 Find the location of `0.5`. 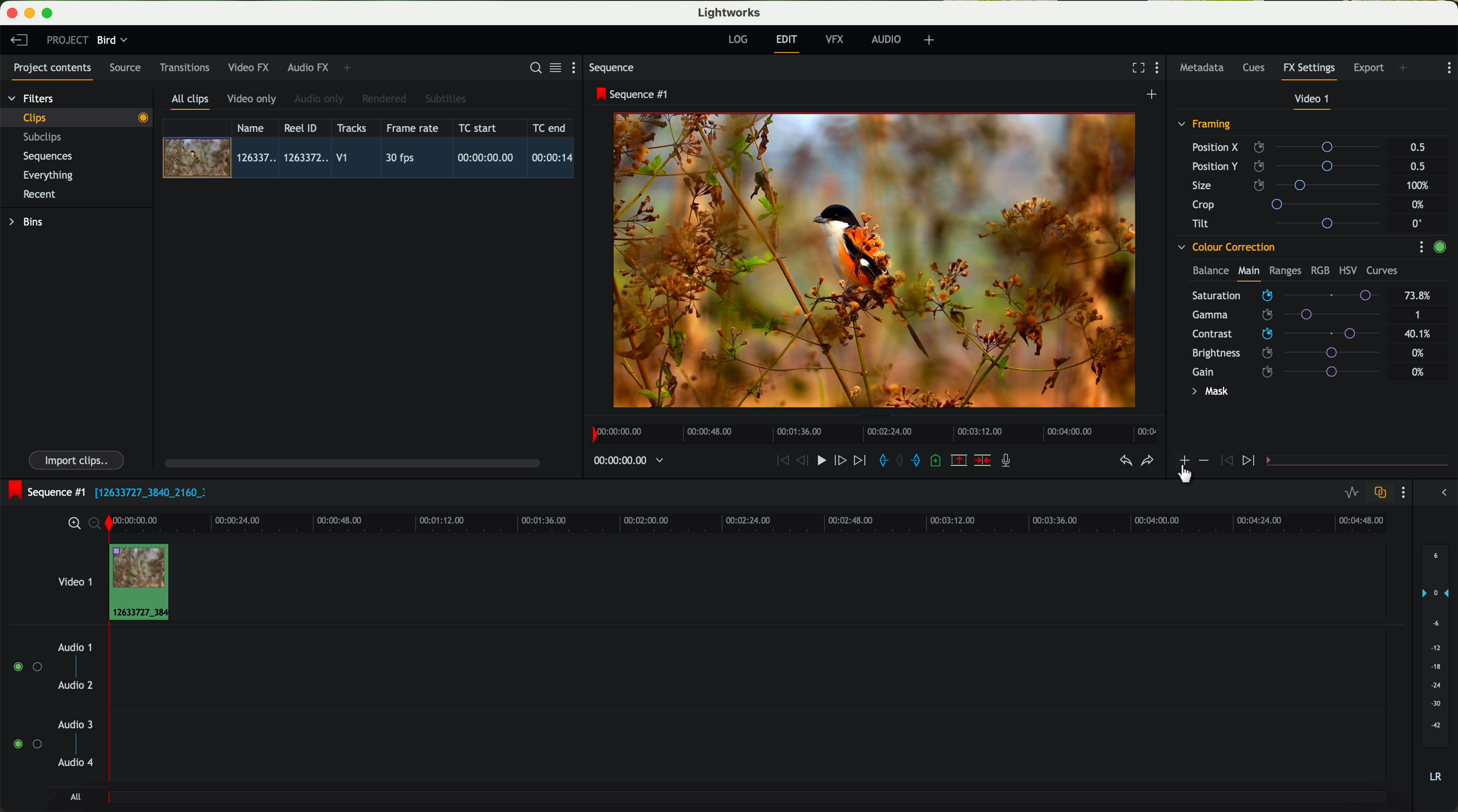

0.5 is located at coordinates (1417, 166).